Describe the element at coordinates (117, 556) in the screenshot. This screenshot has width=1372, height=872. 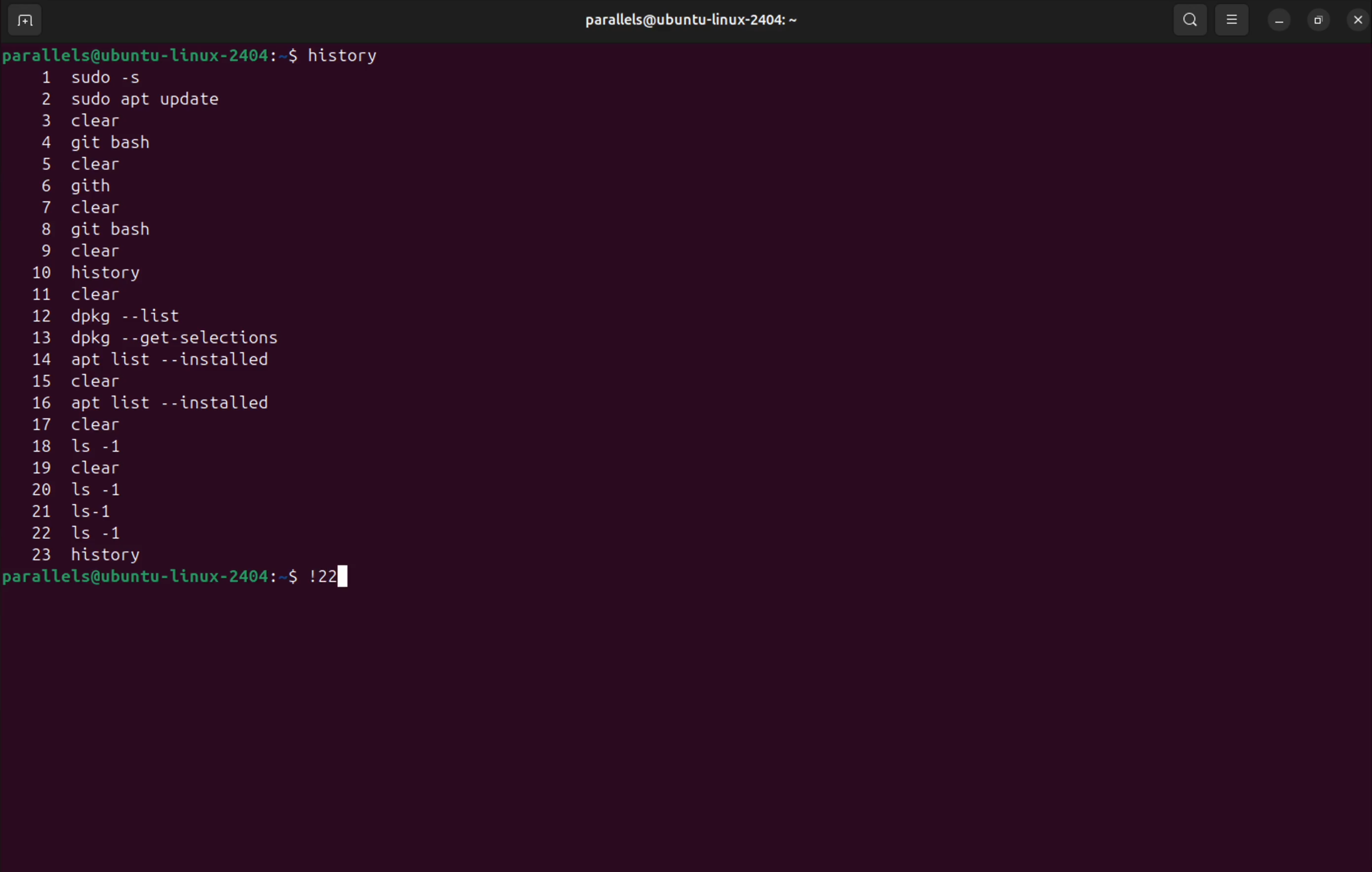
I see `23 history` at that location.